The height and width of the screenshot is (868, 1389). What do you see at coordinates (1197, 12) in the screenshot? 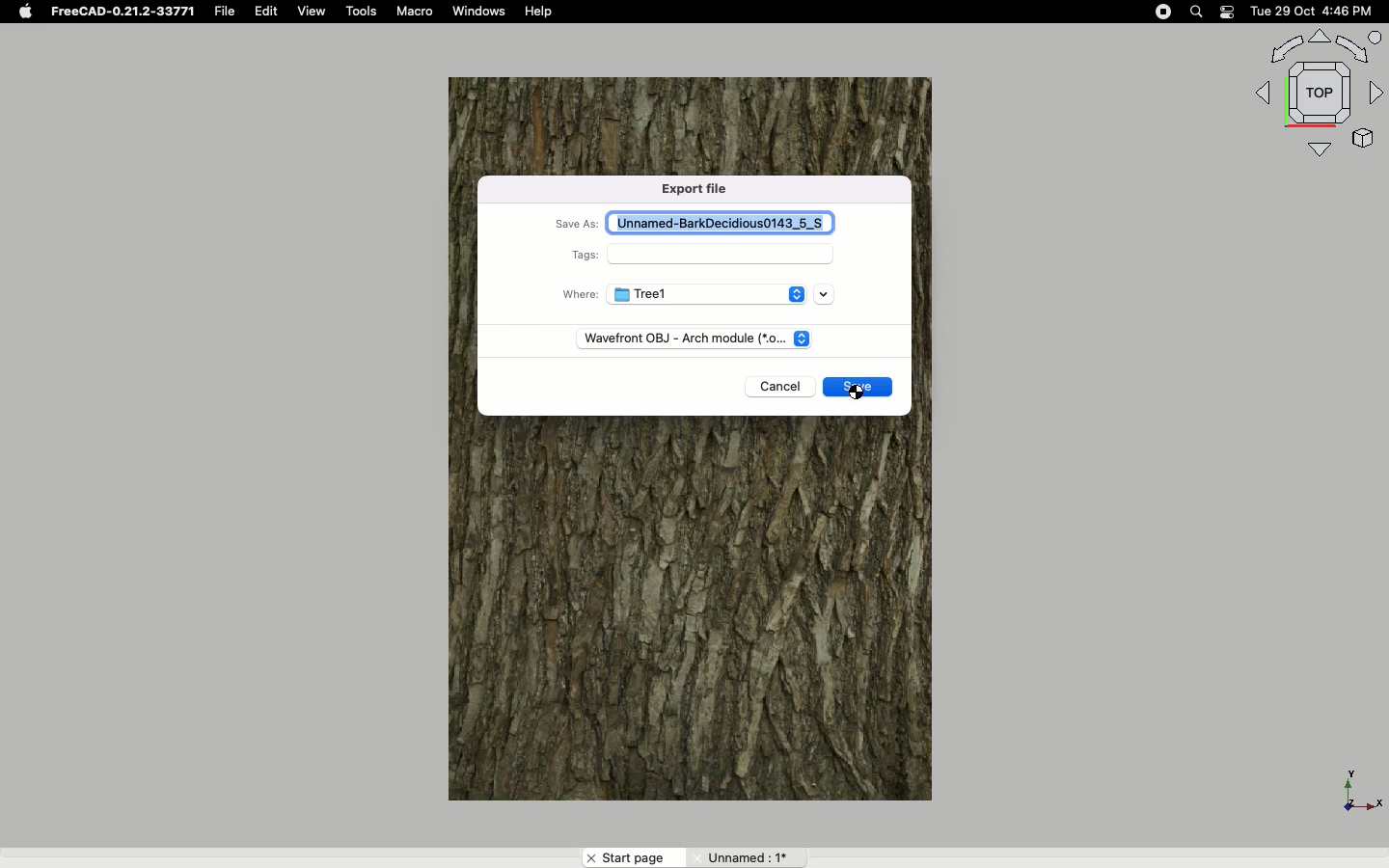
I see `Search` at bounding box center [1197, 12].